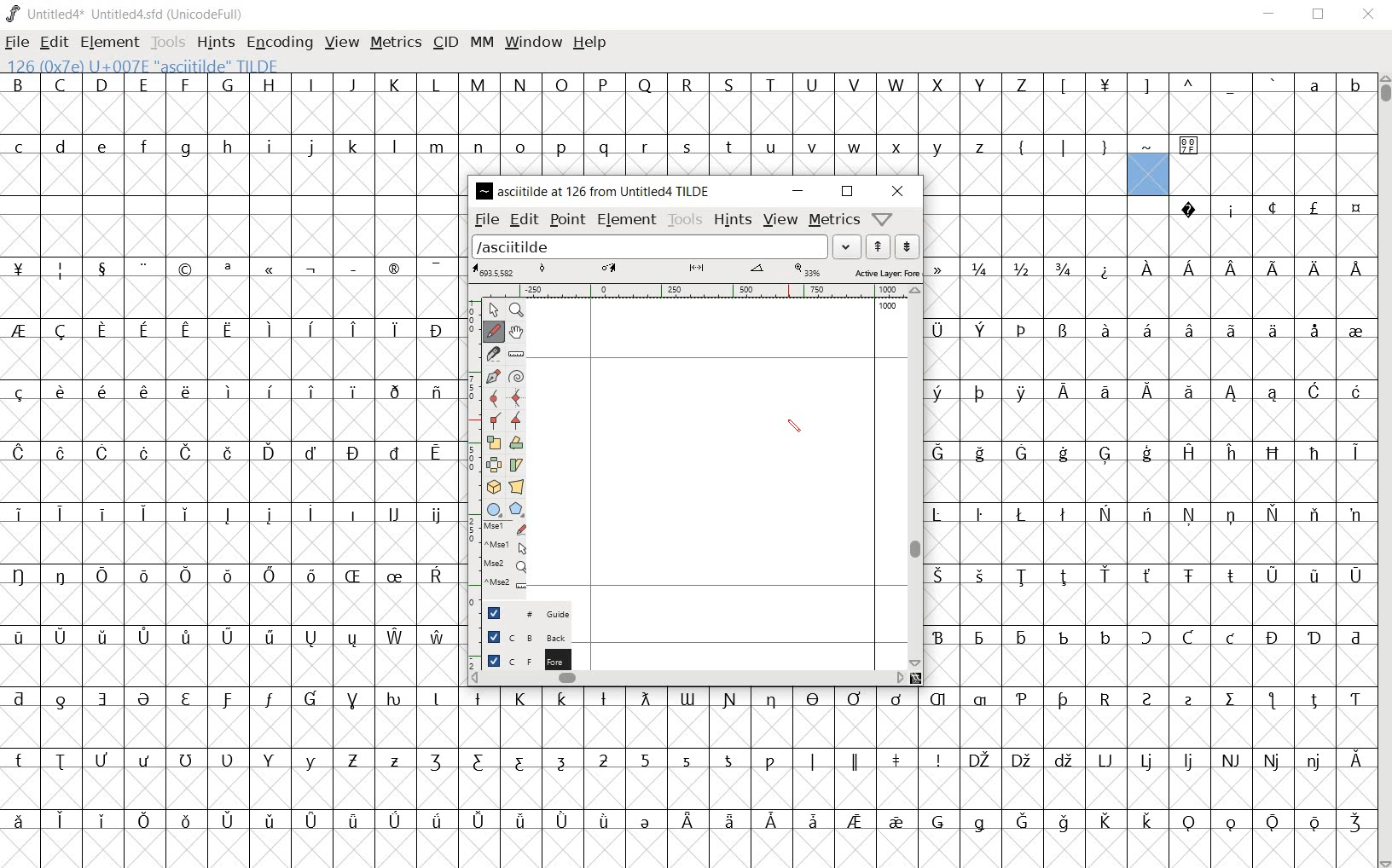 This screenshot has width=1392, height=868. What do you see at coordinates (516, 375) in the screenshot?
I see `change whether spiro is active or not` at bounding box center [516, 375].